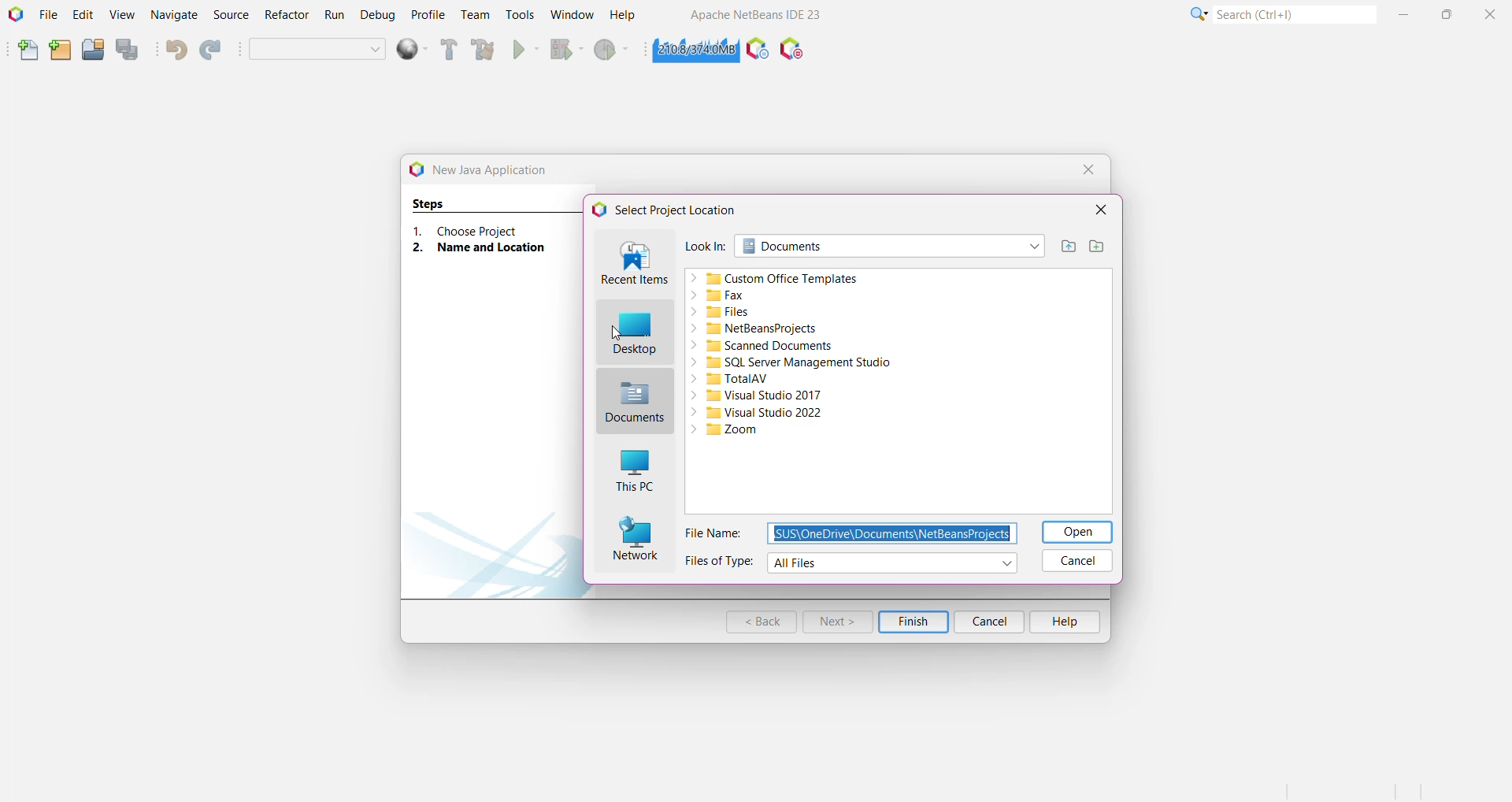 The height and width of the screenshot is (802, 1512). I want to click on This PC, so click(634, 470).